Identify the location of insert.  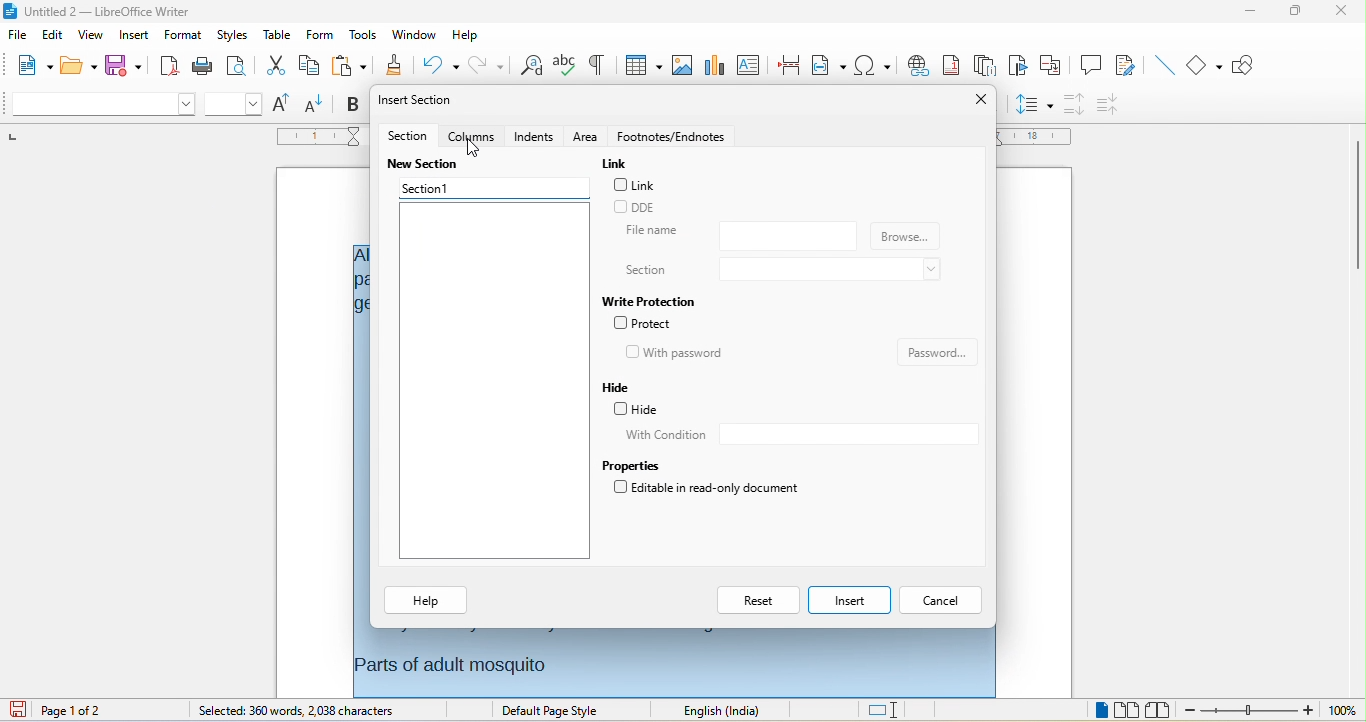
(134, 34).